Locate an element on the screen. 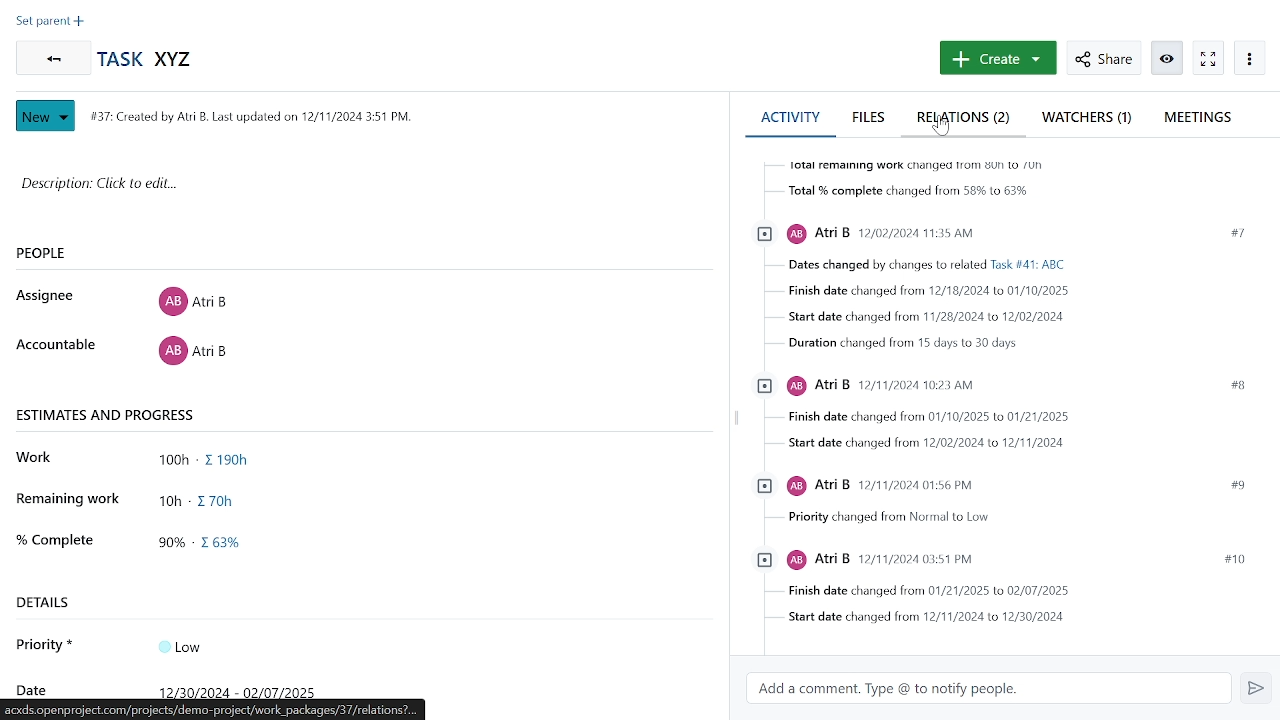 This screenshot has height=720, width=1280. estimates and progress is located at coordinates (108, 414).